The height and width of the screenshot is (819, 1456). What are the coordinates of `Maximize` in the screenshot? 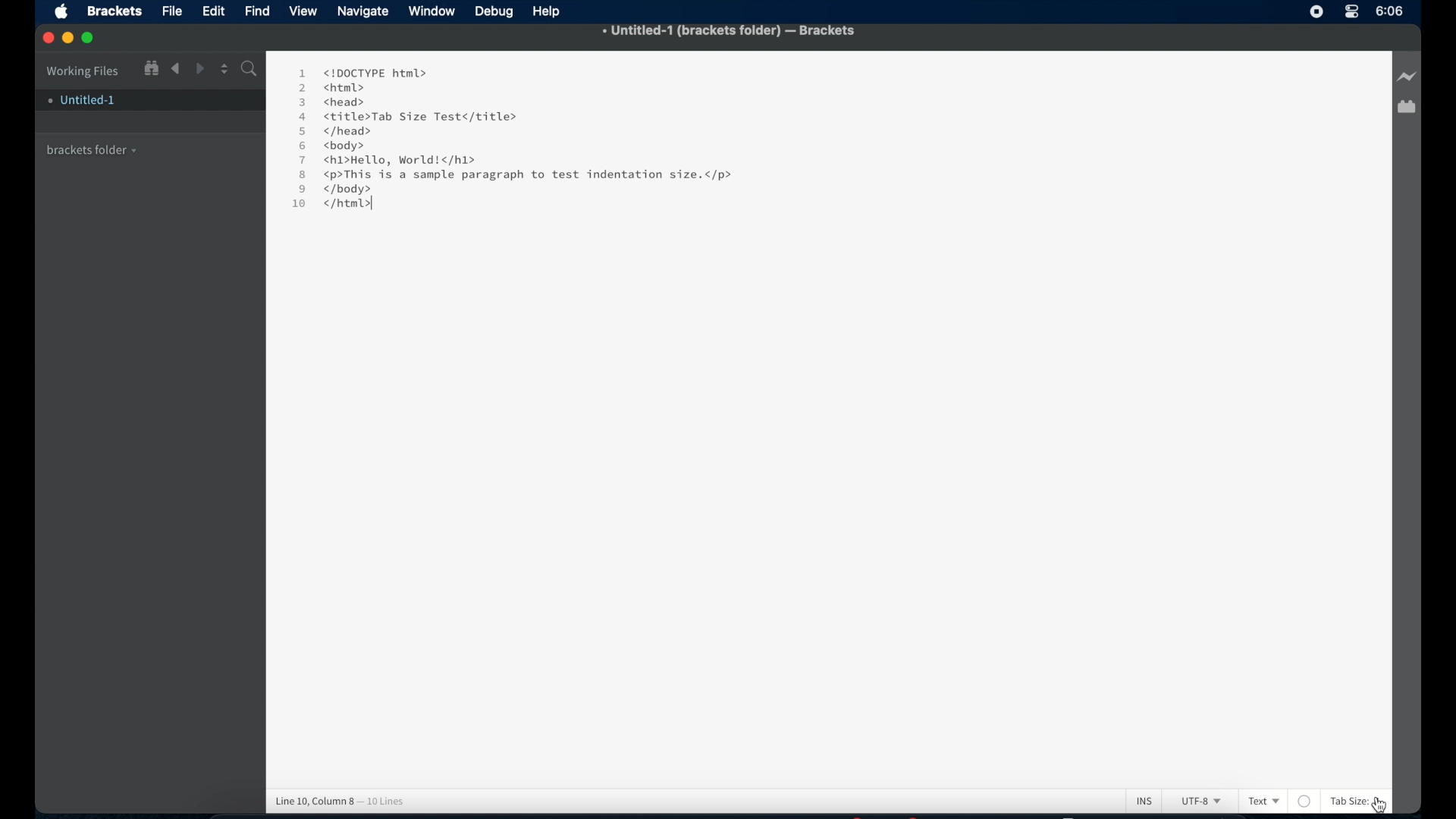 It's located at (93, 38).